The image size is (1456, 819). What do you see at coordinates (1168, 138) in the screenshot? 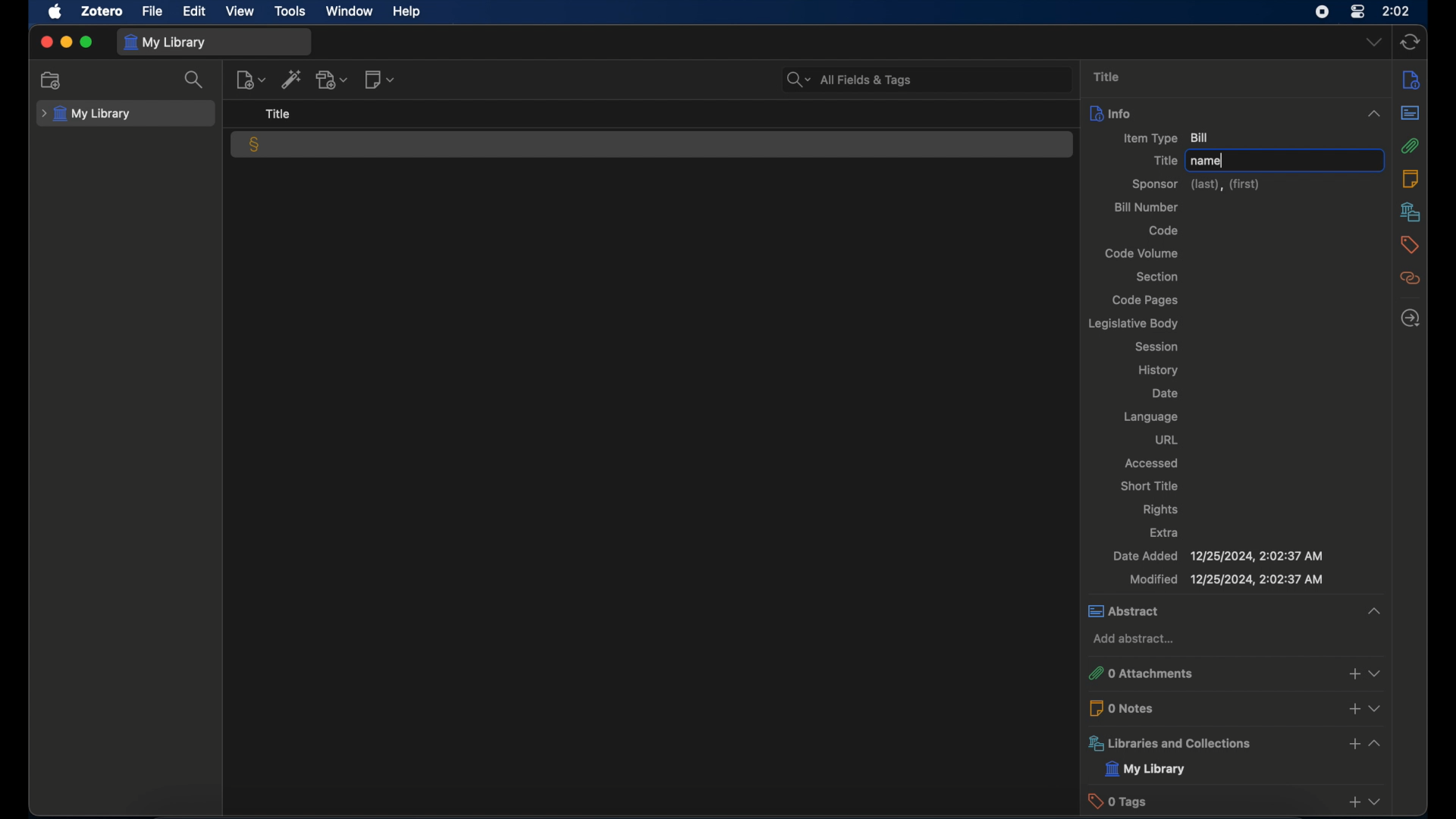
I see `item type` at bounding box center [1168, 138].